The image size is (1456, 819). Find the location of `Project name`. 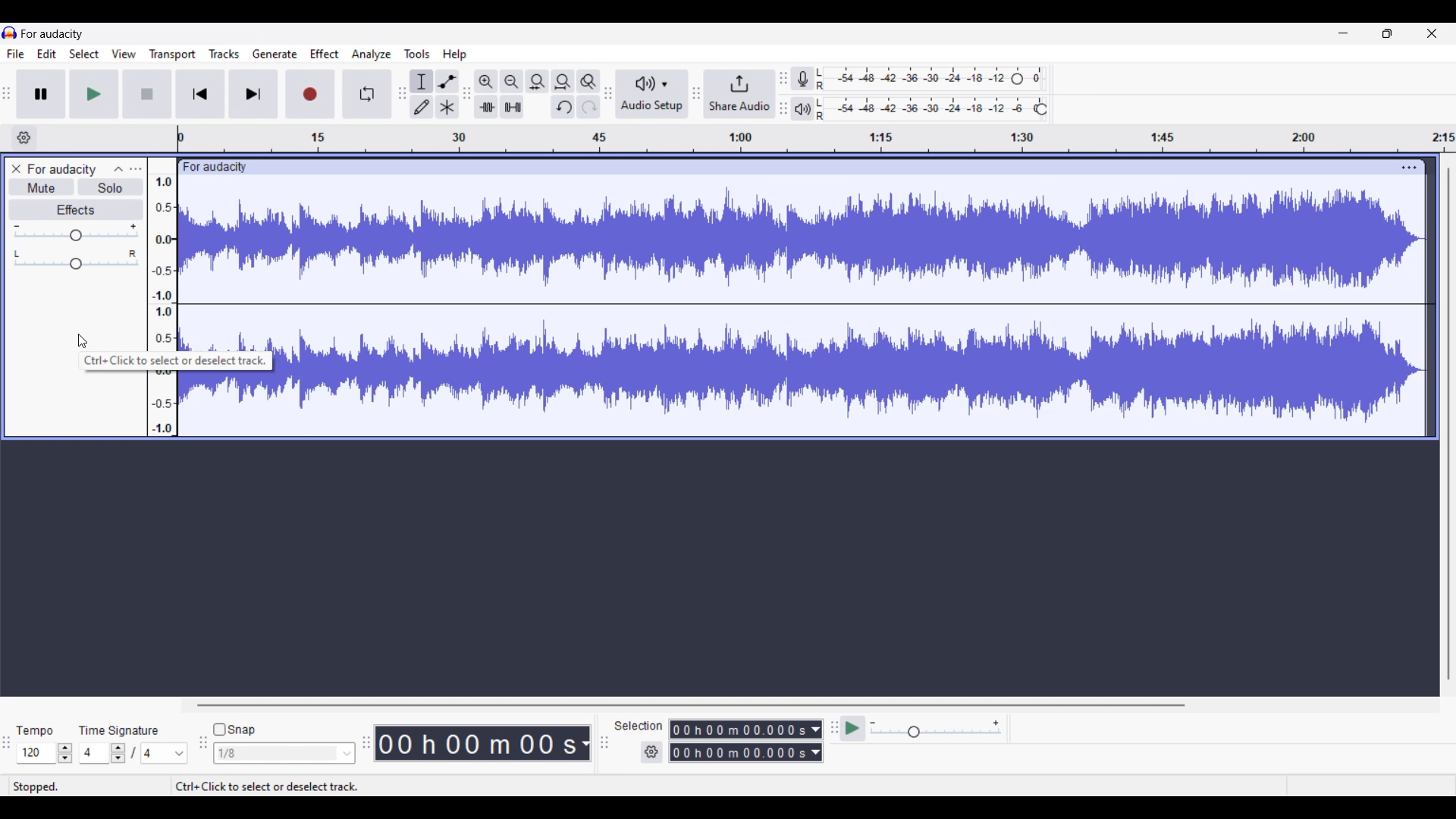

Project name is located at coordinates (52, 34).